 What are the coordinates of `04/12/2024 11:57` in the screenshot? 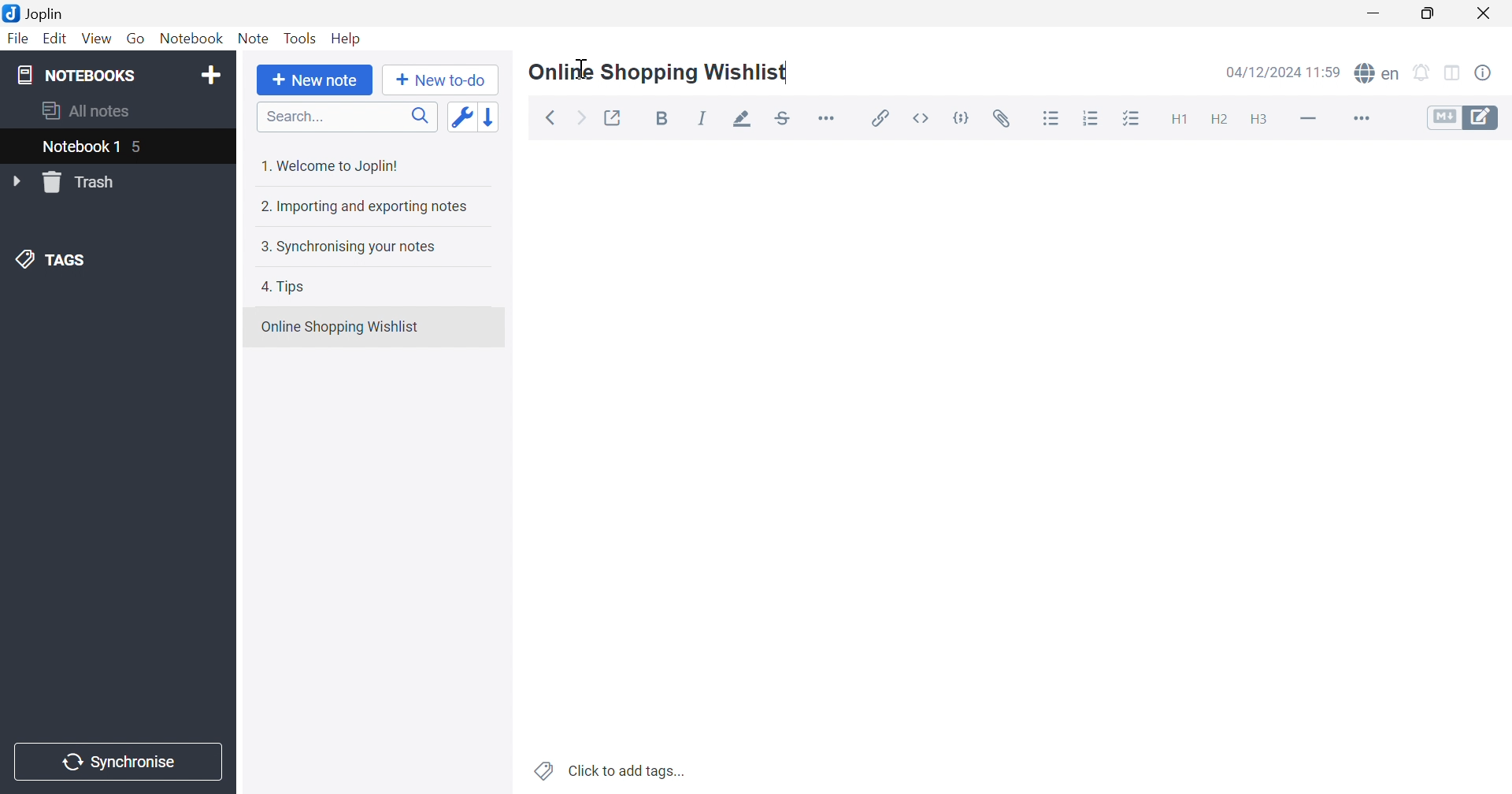 It's located at (1282, 72).